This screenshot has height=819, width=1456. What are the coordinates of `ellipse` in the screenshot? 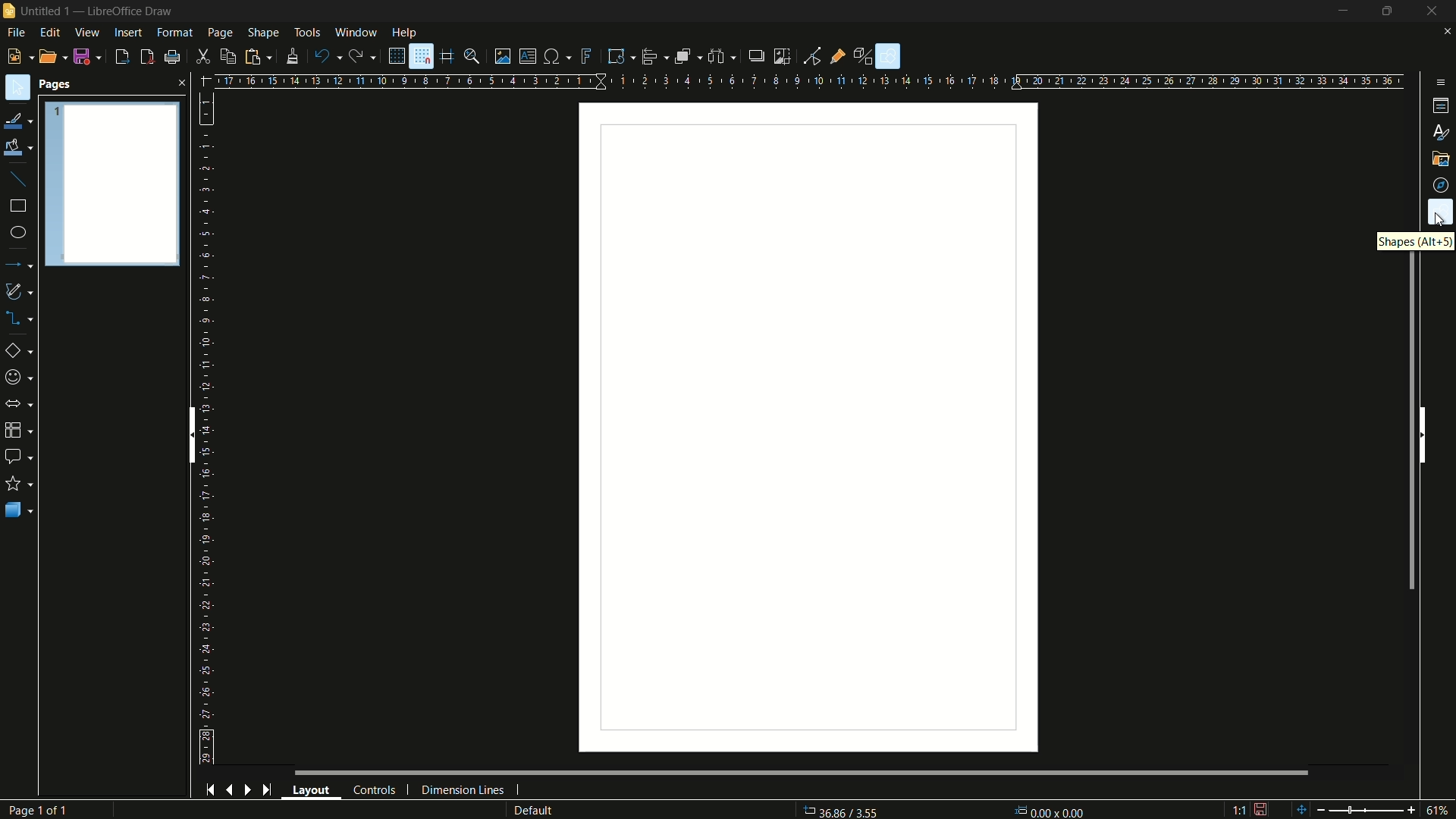 It's located at (17, 233).